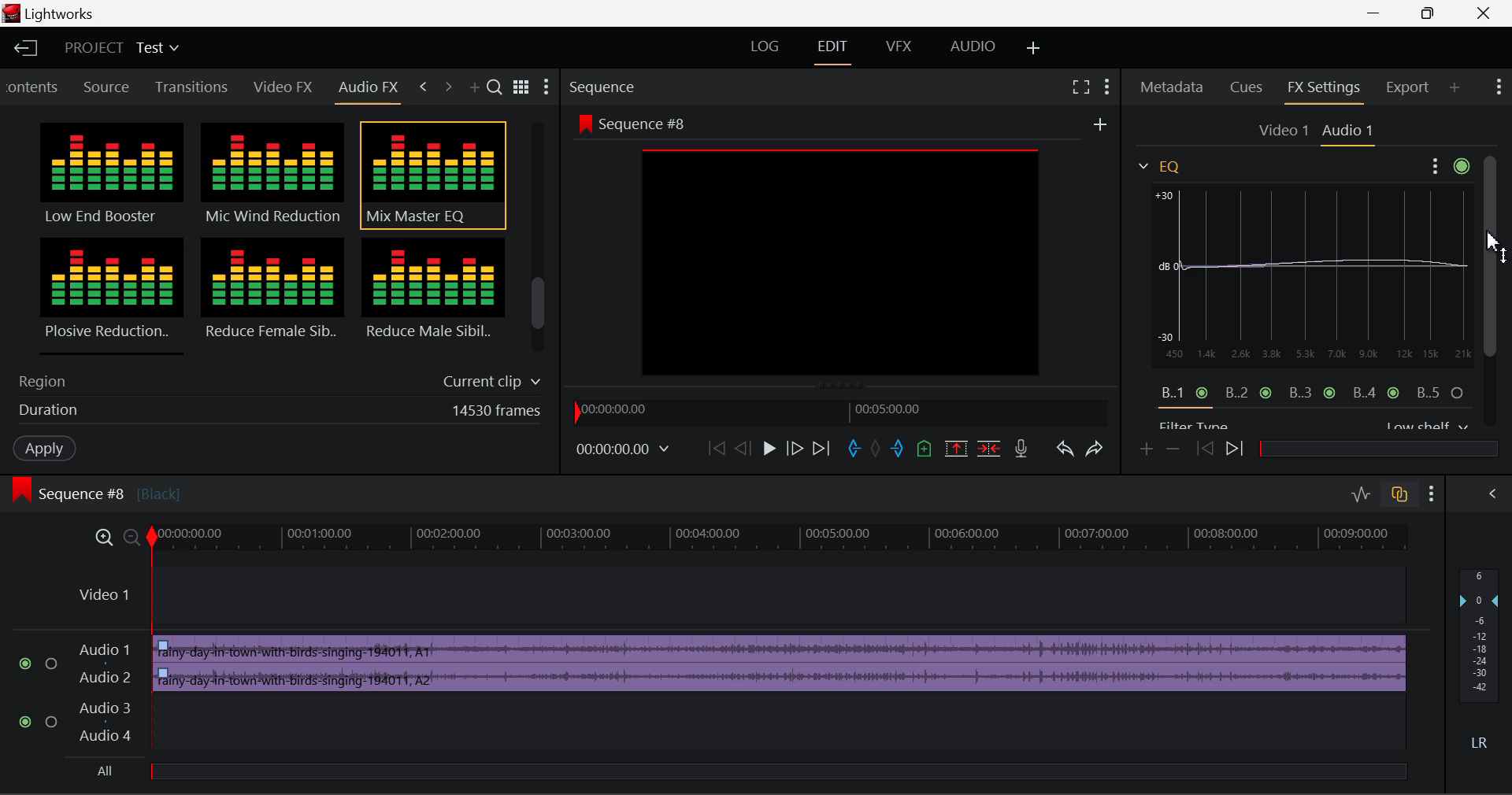 The height and width of the screenshot is (795, 1512). Describe the element at coordinates (991, 449) in the screenshot. I see `Delete/Cut` at that location.